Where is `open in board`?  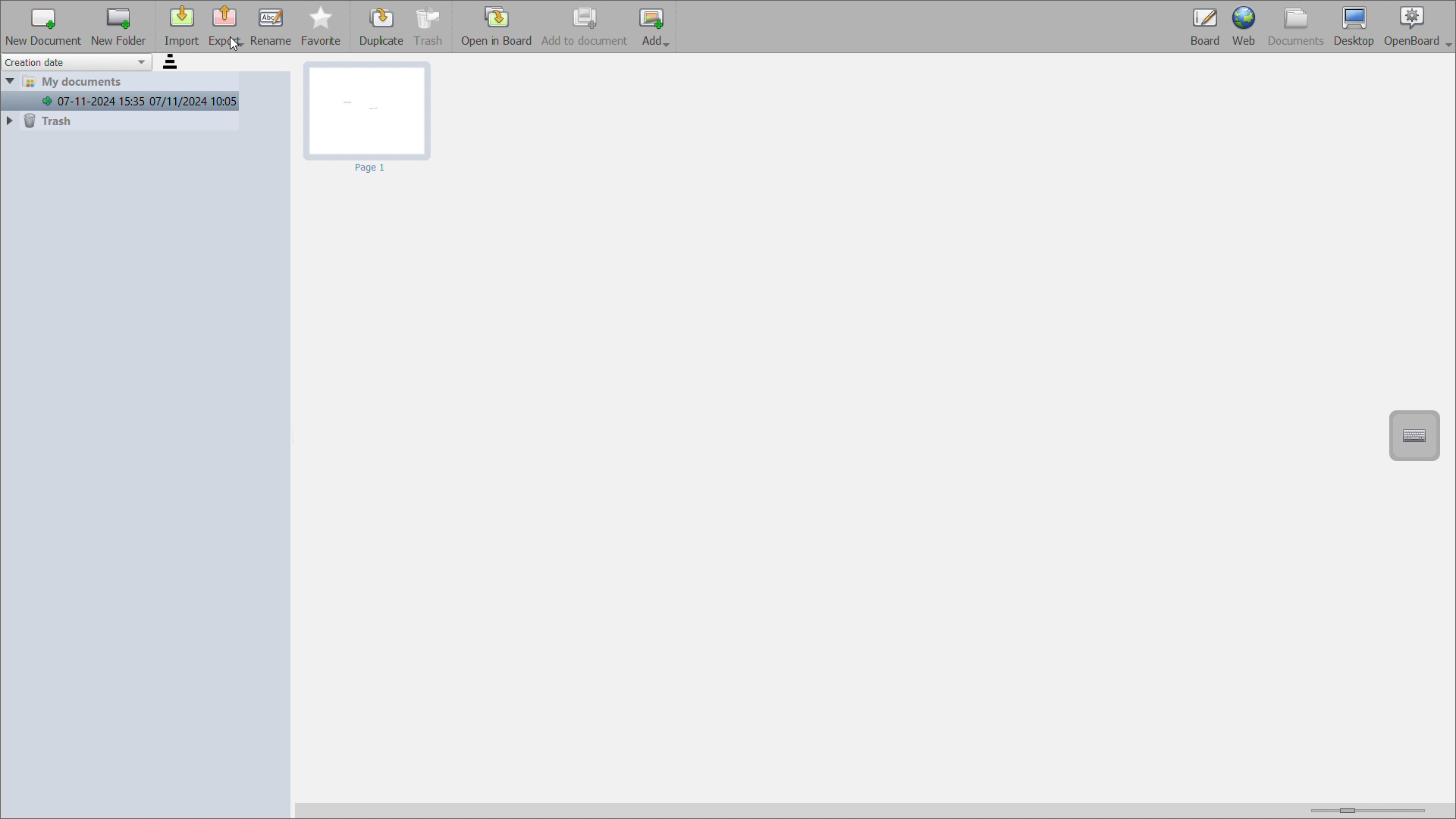
open in board is located at coordinates (496, 26).